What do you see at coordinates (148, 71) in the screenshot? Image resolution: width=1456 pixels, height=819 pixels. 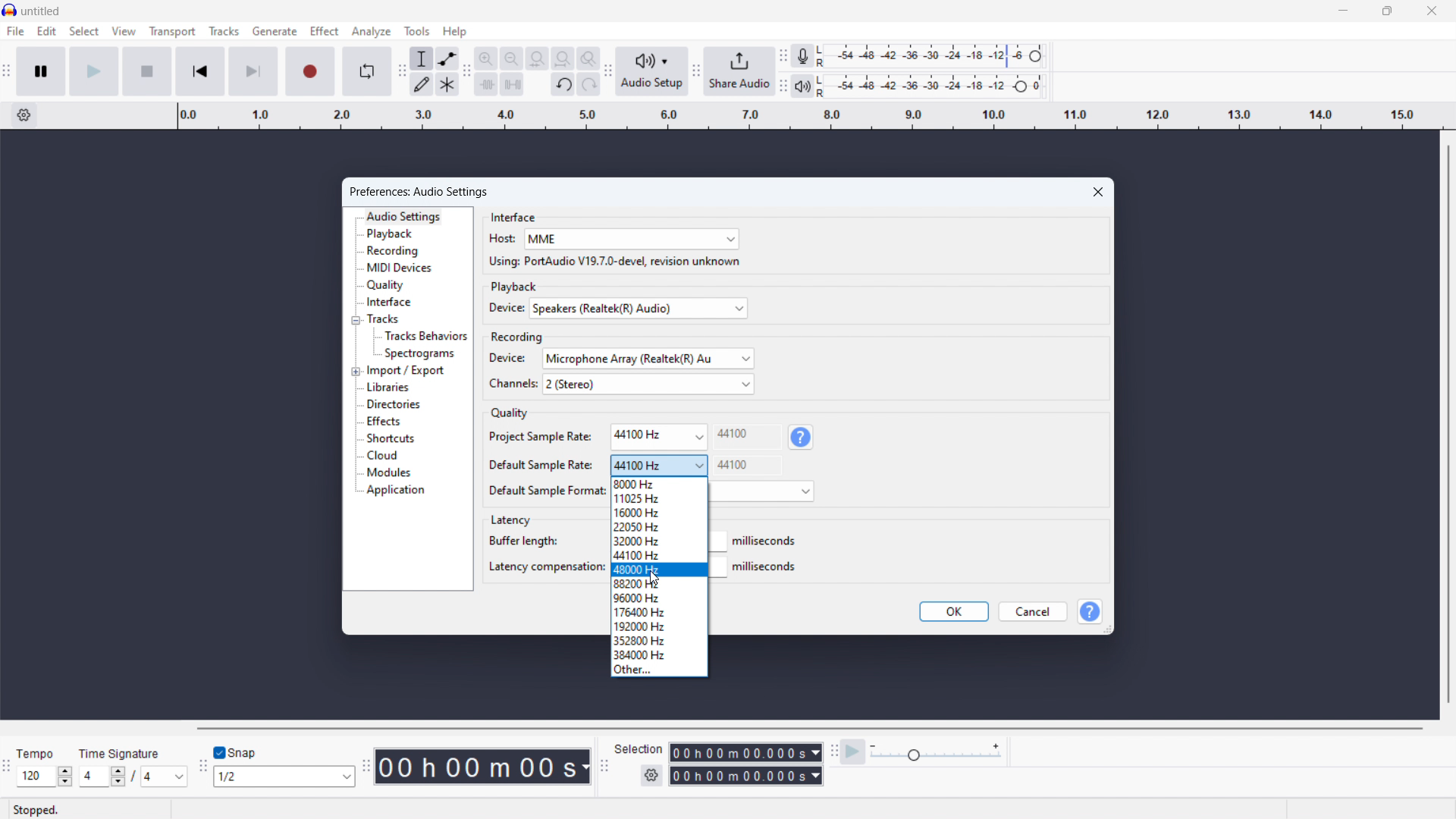 I see `stop` at bounding box center [148, 71].